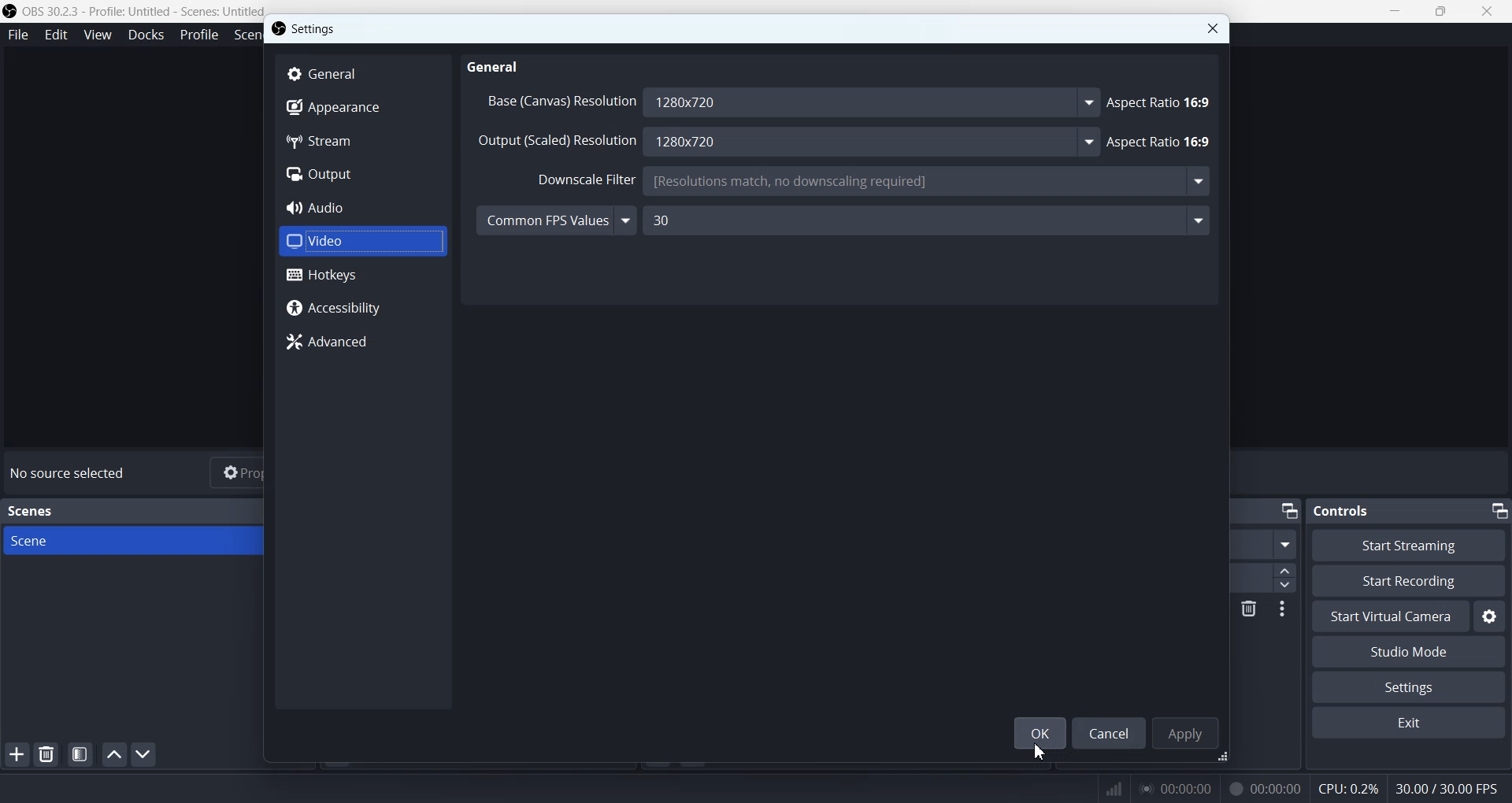 The height and width of the screenshot is (803, 1512). What do you see at coordinates (1349, 510) in the screenshot?
I see `Controls` at bounding box center [1349, 510].